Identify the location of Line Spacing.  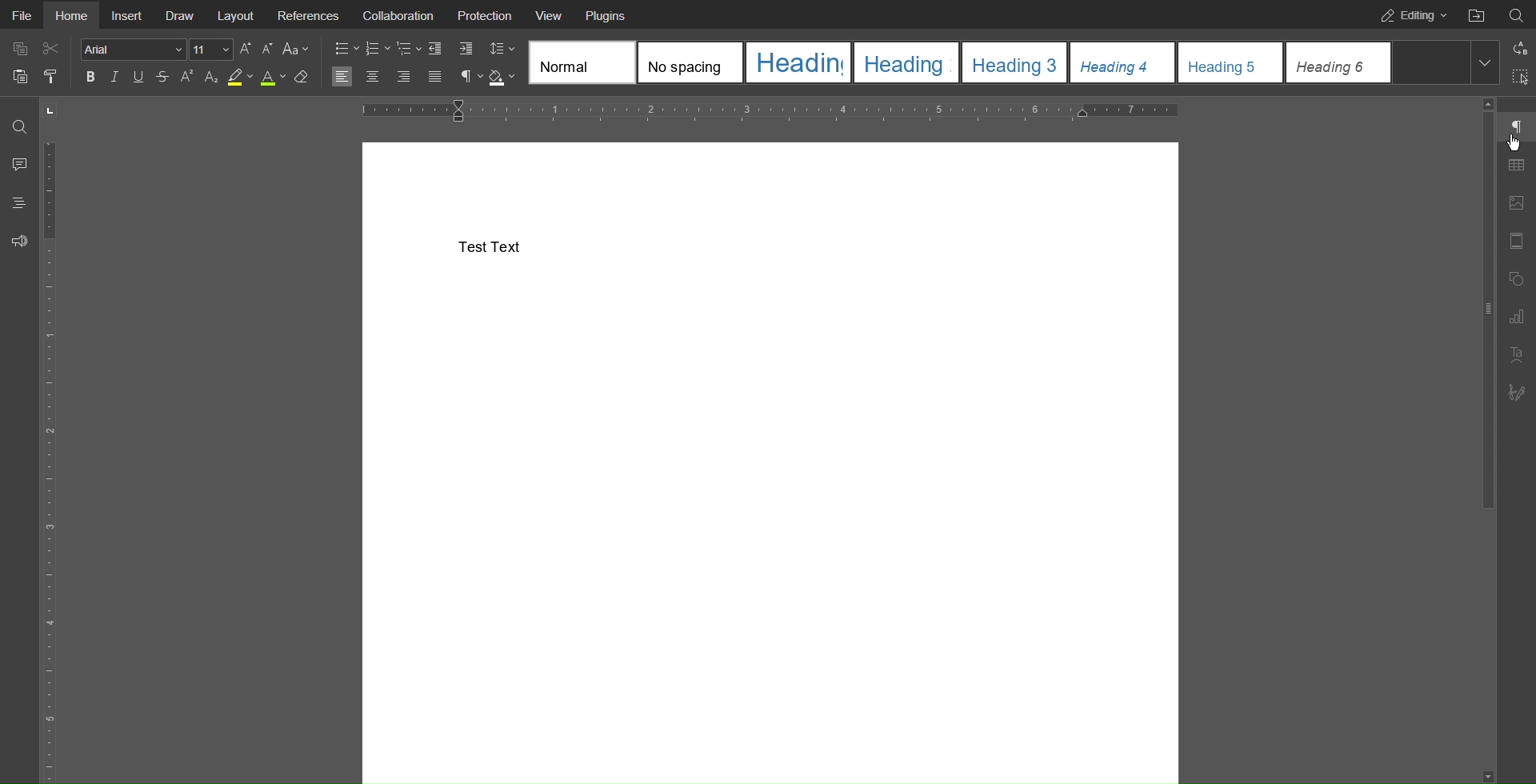
(501, 47).